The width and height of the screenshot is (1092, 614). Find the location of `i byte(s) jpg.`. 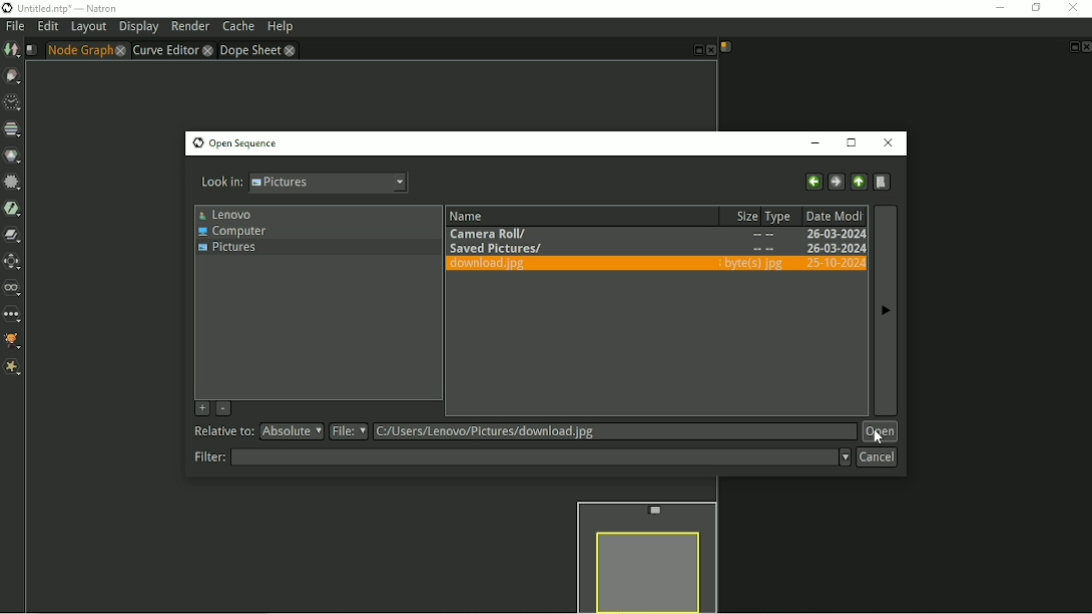

i byte(s) jpg. is located at coordinates (749, 262).